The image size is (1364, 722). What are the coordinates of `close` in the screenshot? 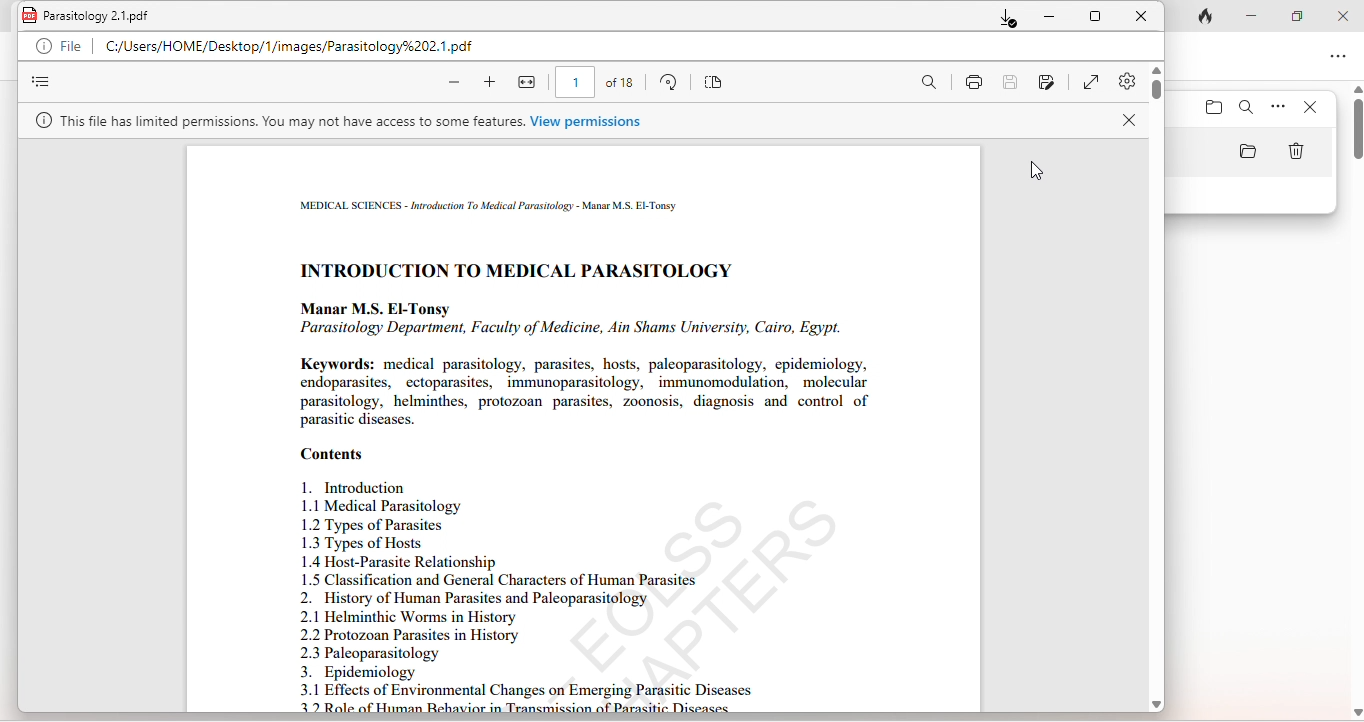 It's located at (1312, 108).